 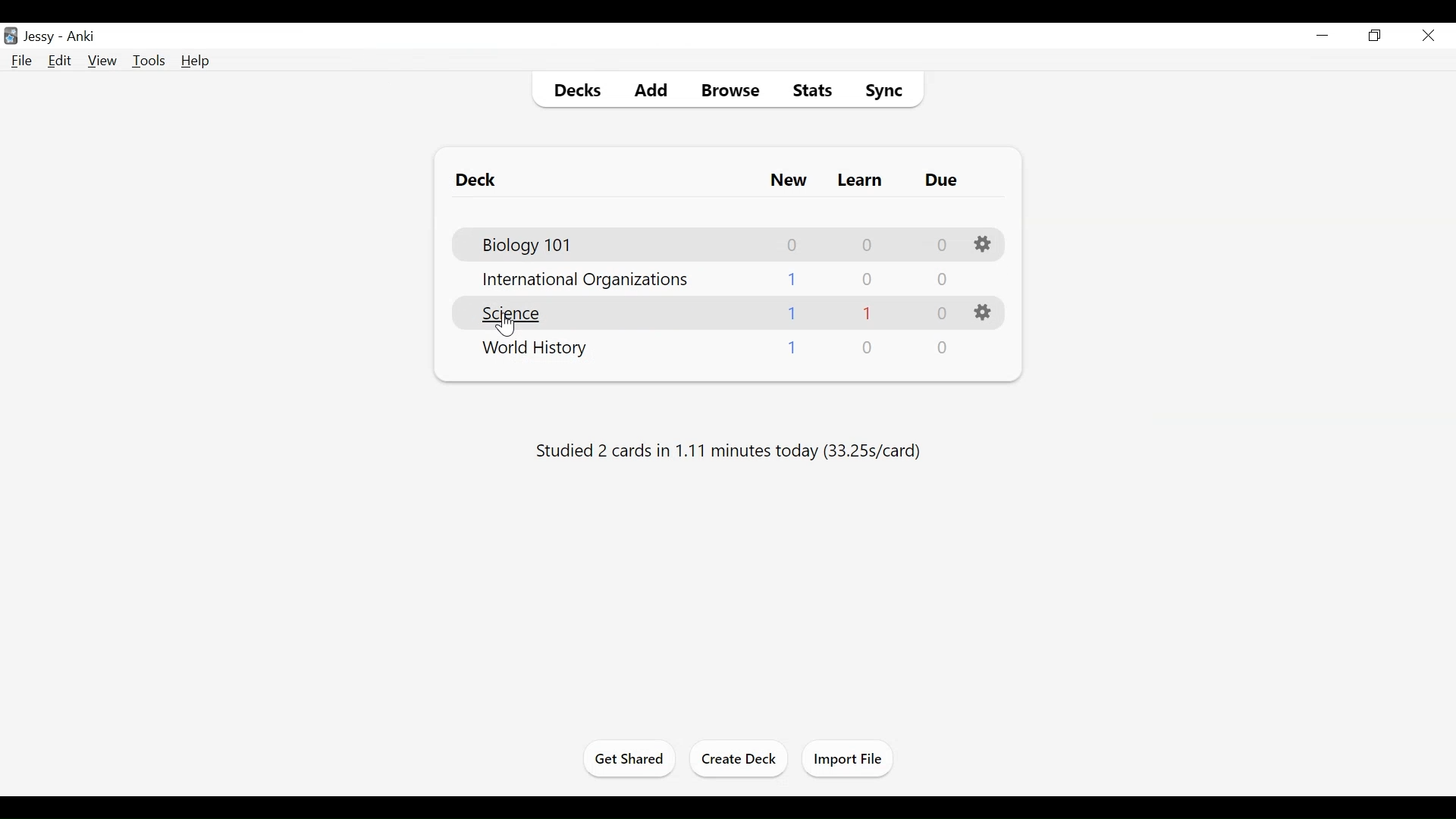 What do you see at coordinates (885, 90) in the screenshot?
I see `Sync` at bounding box center [885, 90].